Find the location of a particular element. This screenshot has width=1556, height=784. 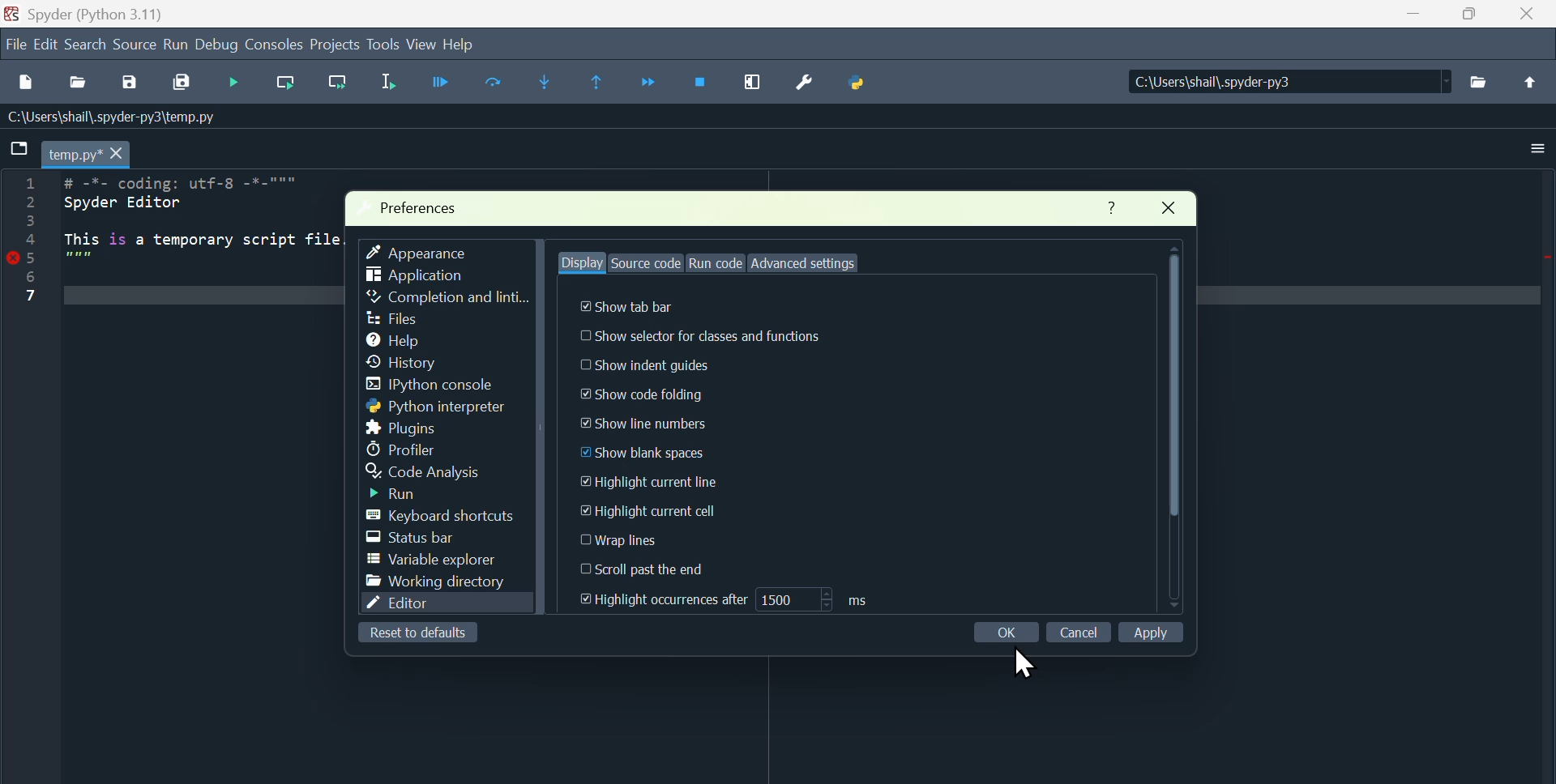

Step in to function is located at coordinates (541, 83).